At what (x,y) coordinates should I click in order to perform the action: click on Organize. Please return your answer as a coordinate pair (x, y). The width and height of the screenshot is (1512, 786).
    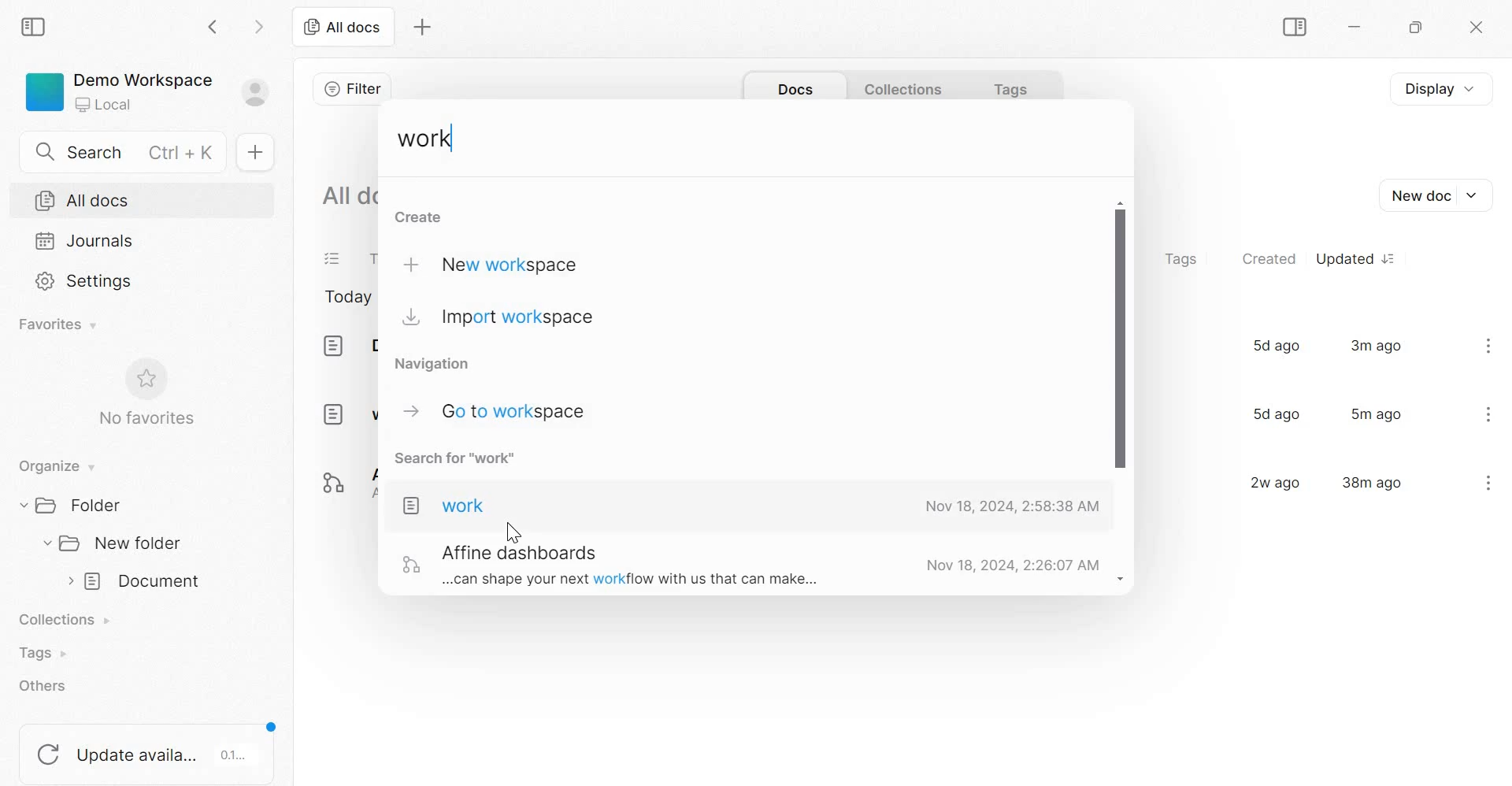
    Looking at the image, I should click on (54, 467).